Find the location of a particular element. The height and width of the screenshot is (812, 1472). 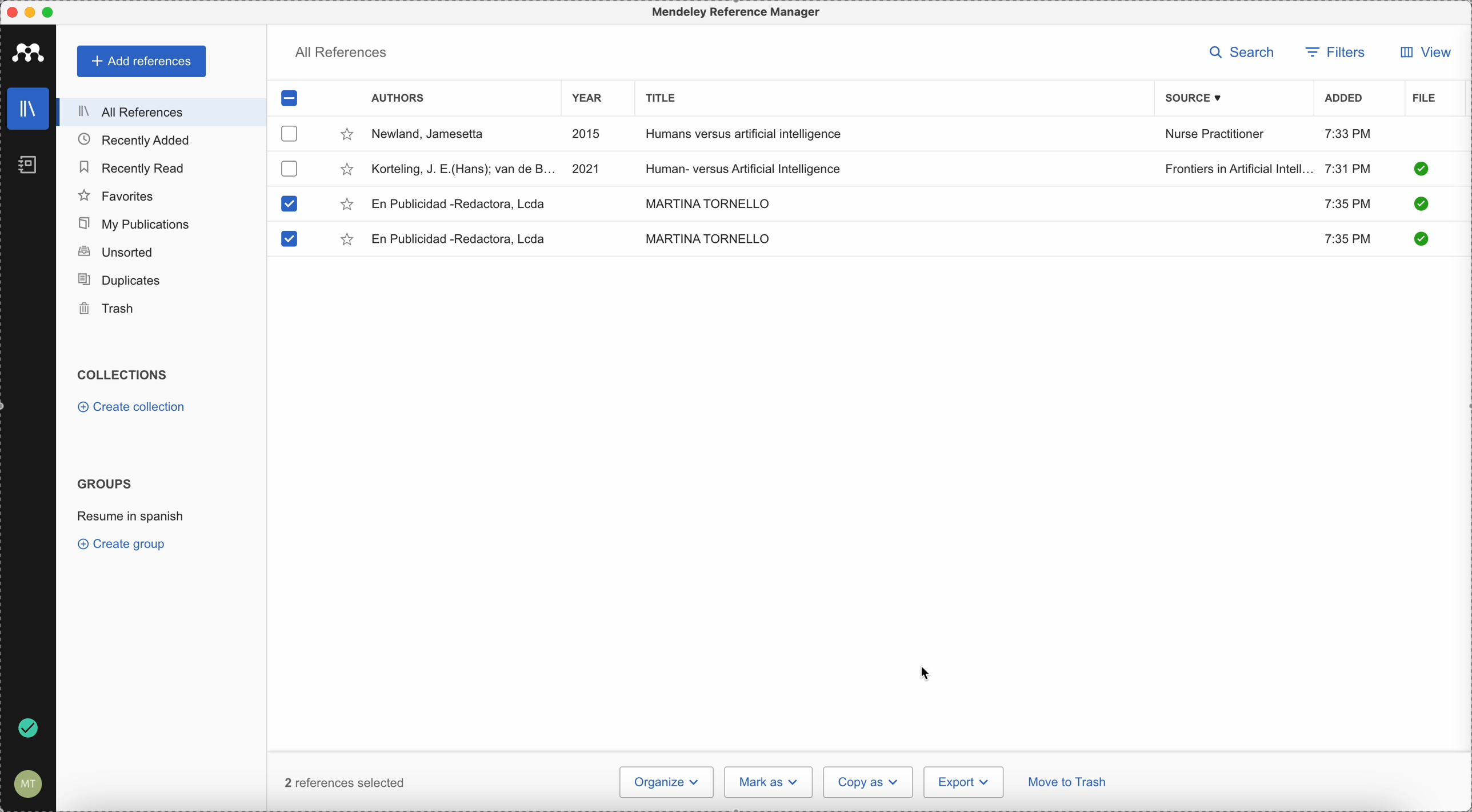

last sync is located at coordinates (26, 729).